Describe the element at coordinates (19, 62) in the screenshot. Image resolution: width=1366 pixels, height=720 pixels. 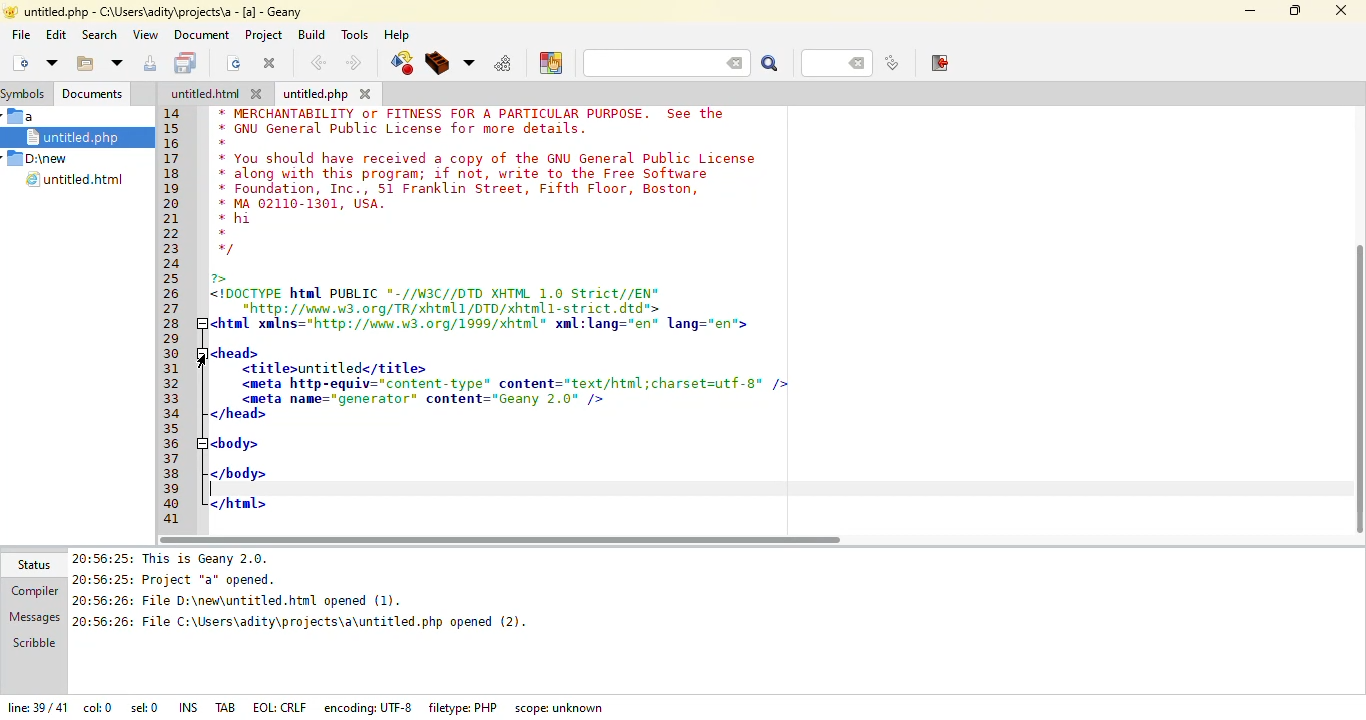
I see `create new file` at that location.